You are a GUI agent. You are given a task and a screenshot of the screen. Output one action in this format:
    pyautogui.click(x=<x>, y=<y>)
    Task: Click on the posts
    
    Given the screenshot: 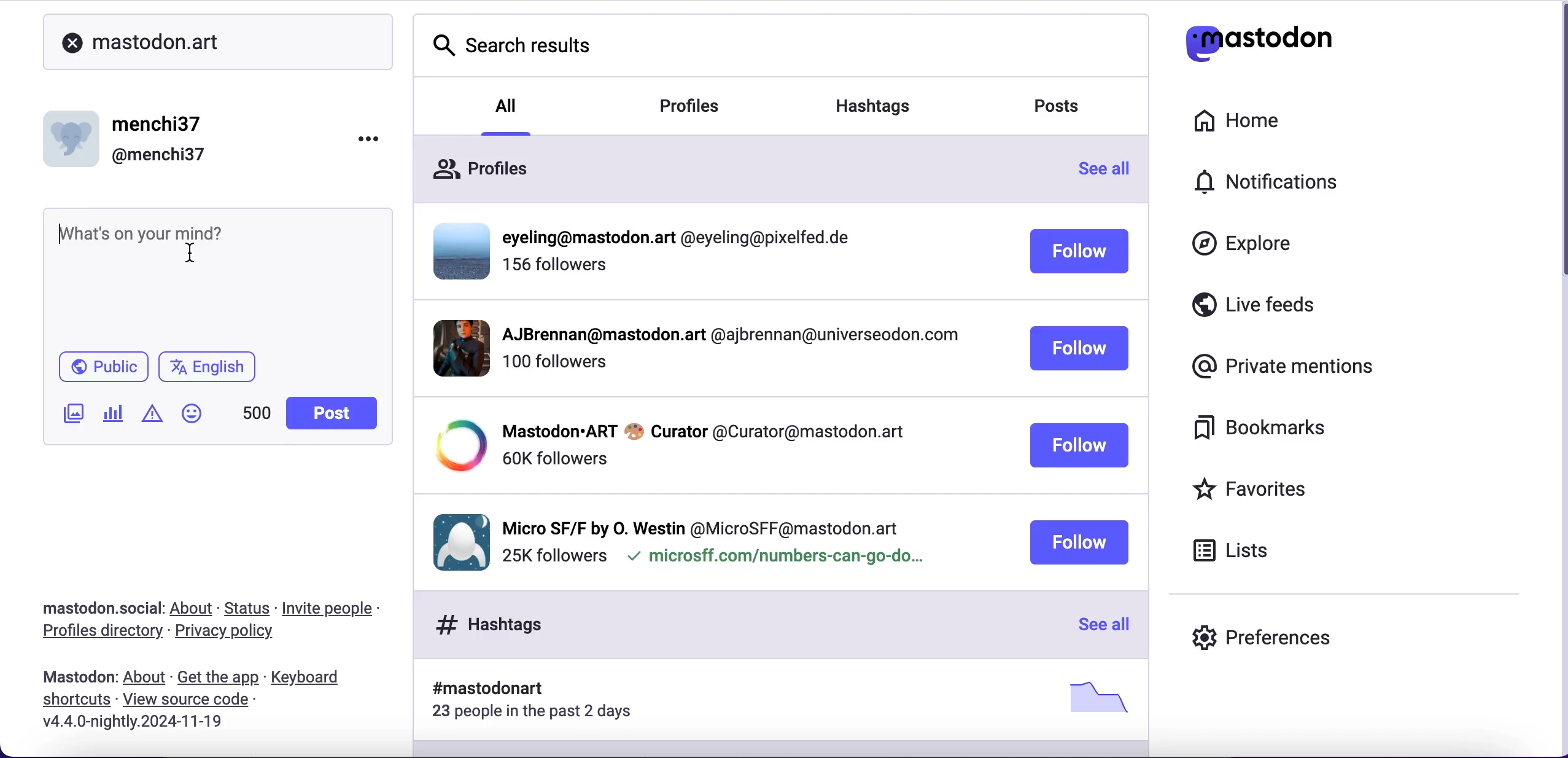 What is the action you would take?
    pyautogui.click(x=1052, y=107)
    